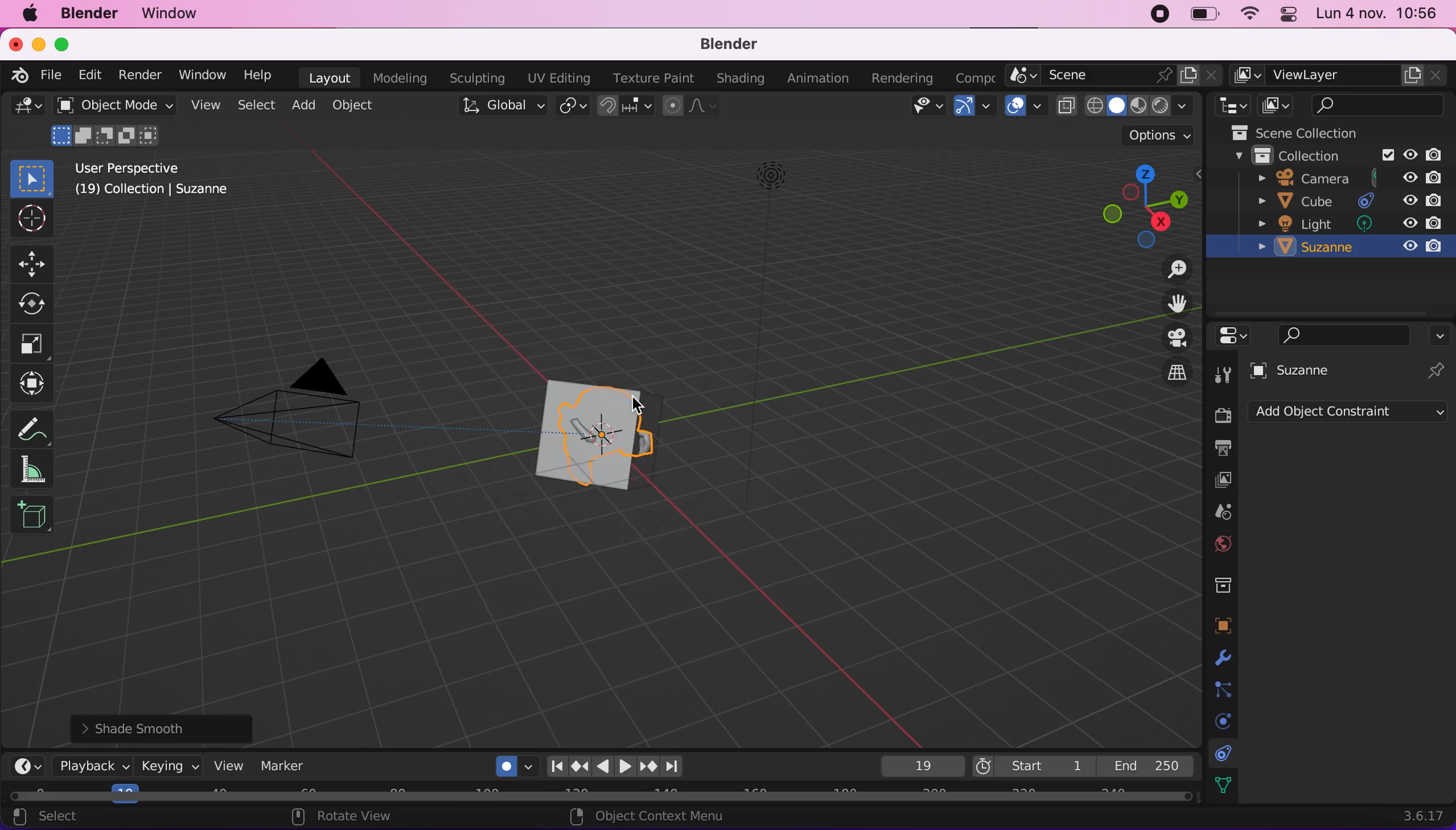 The height and width of the screenshot is (830, 1456). Describe the element at coordinates (32, 176) in the screenshot. I see `select box` at that location.